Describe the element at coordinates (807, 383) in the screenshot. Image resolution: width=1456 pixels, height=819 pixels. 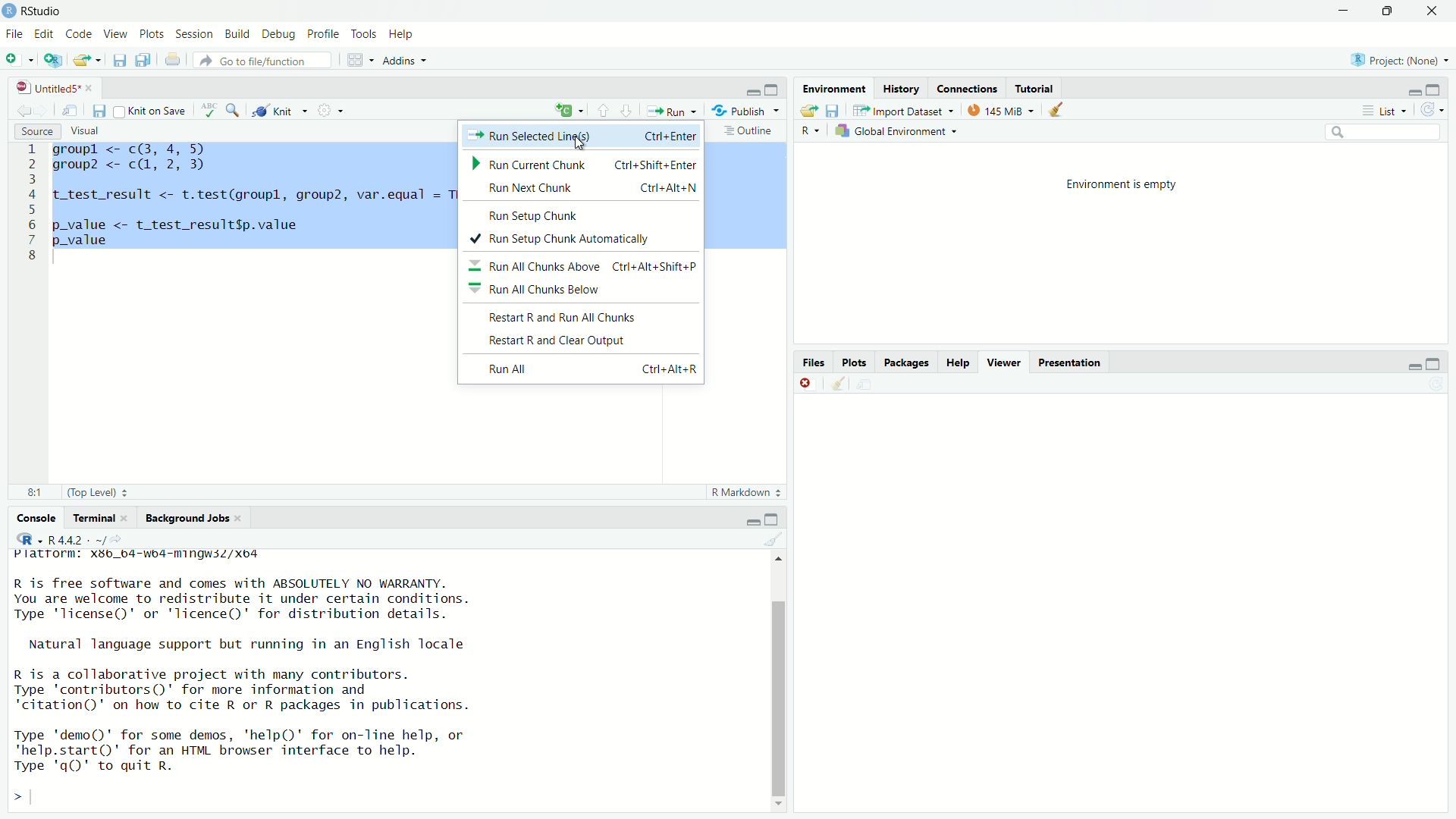
I see `close` at that location.